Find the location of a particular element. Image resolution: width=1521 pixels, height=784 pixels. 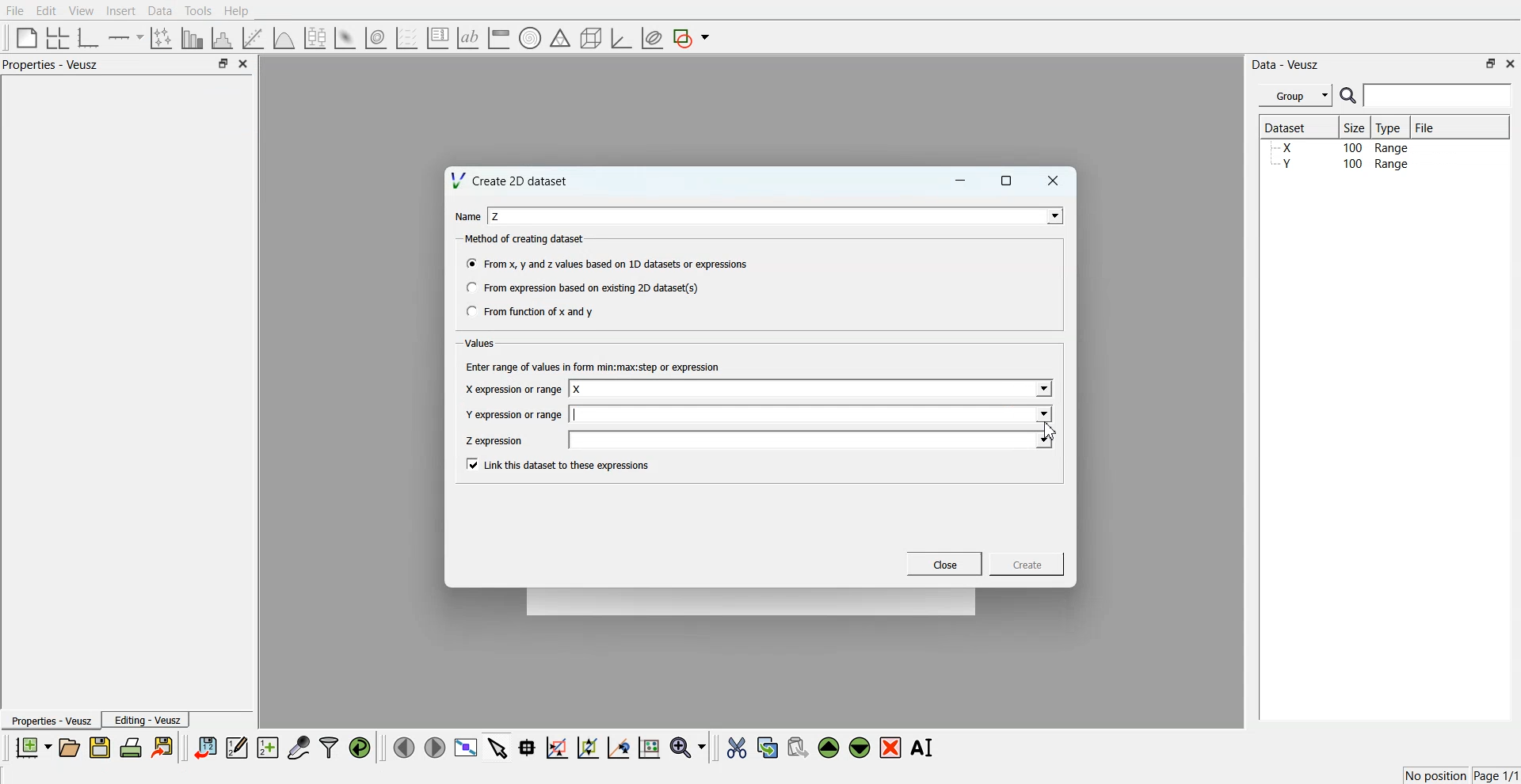

Type is located at coordinates (1390, 127).